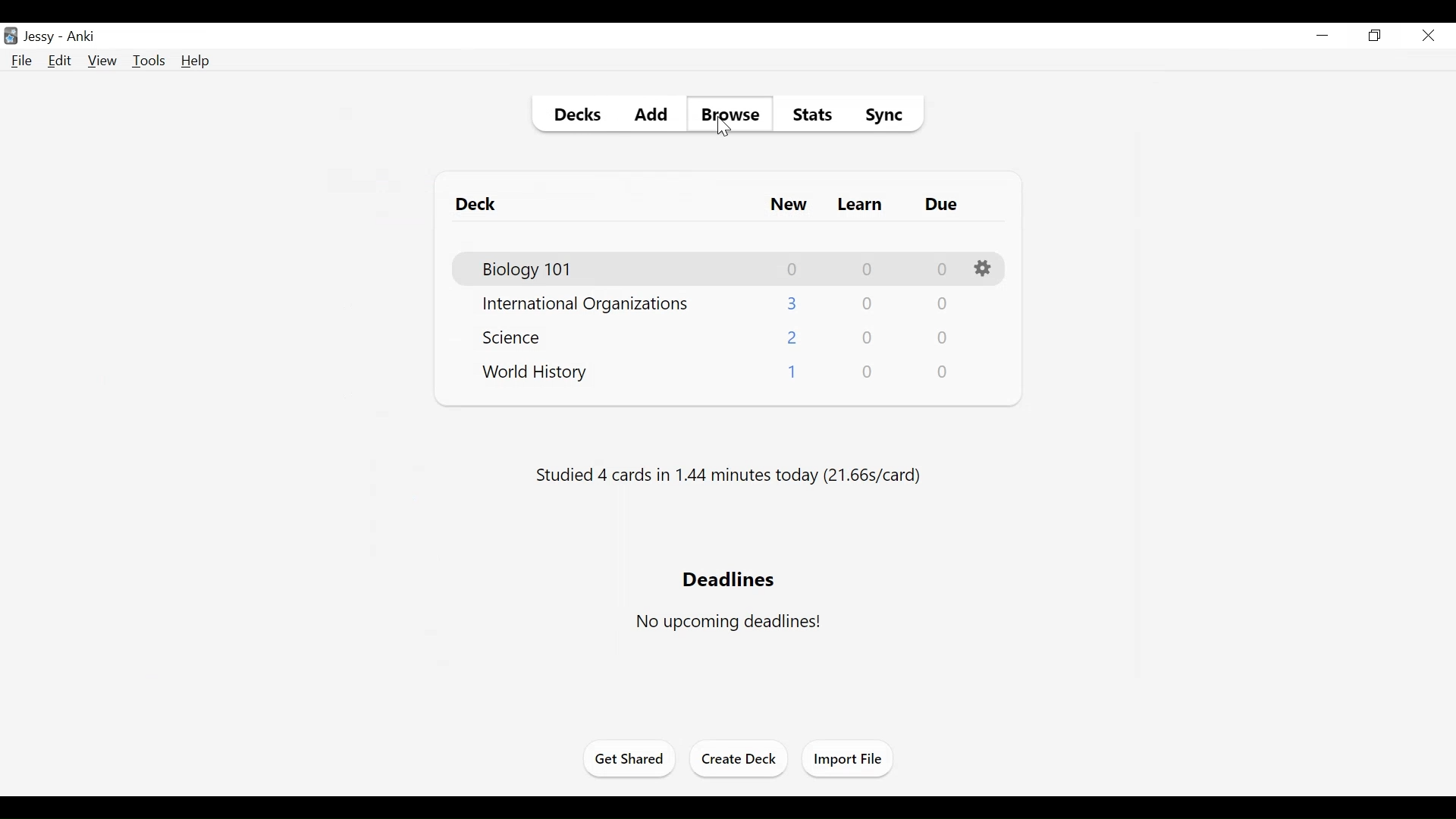  Describe the element at coordinates (795, 268) in the screenshot. I see `New Cards Count` at that location.